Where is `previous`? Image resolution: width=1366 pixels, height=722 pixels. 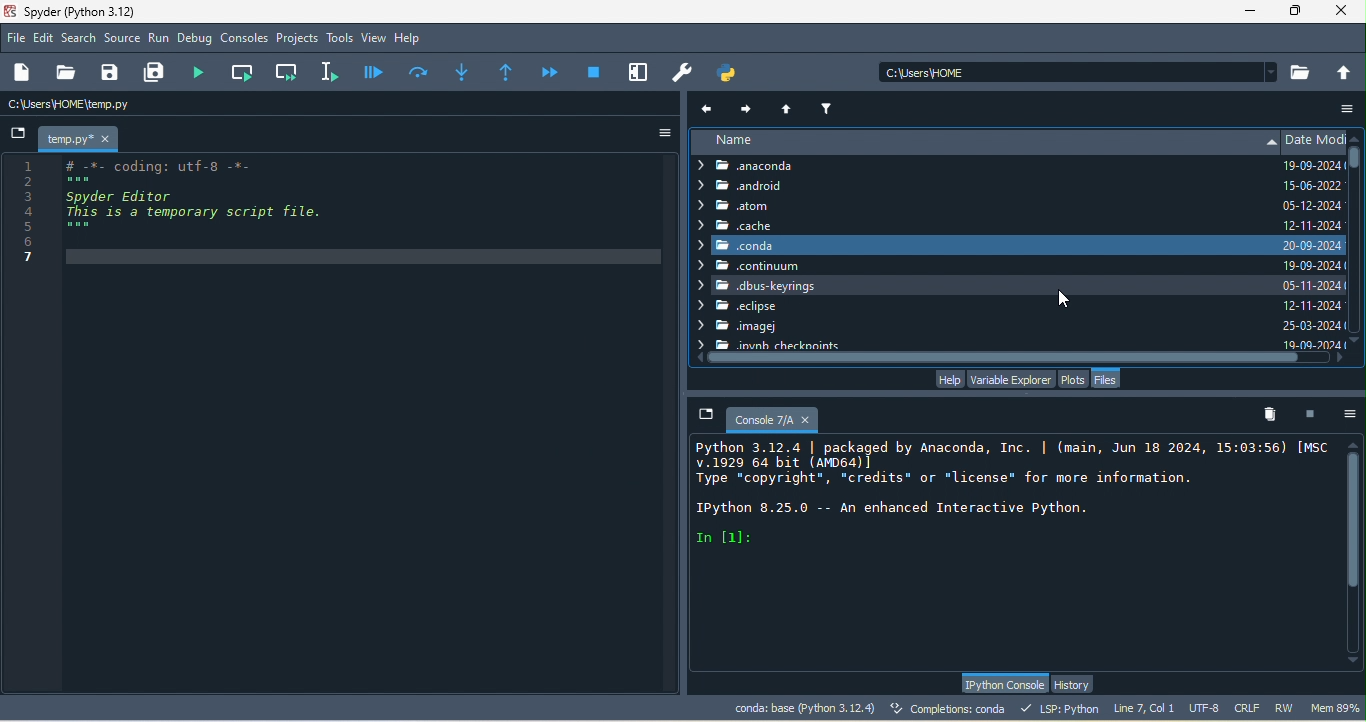 previous is located at coordinates (709, 108).